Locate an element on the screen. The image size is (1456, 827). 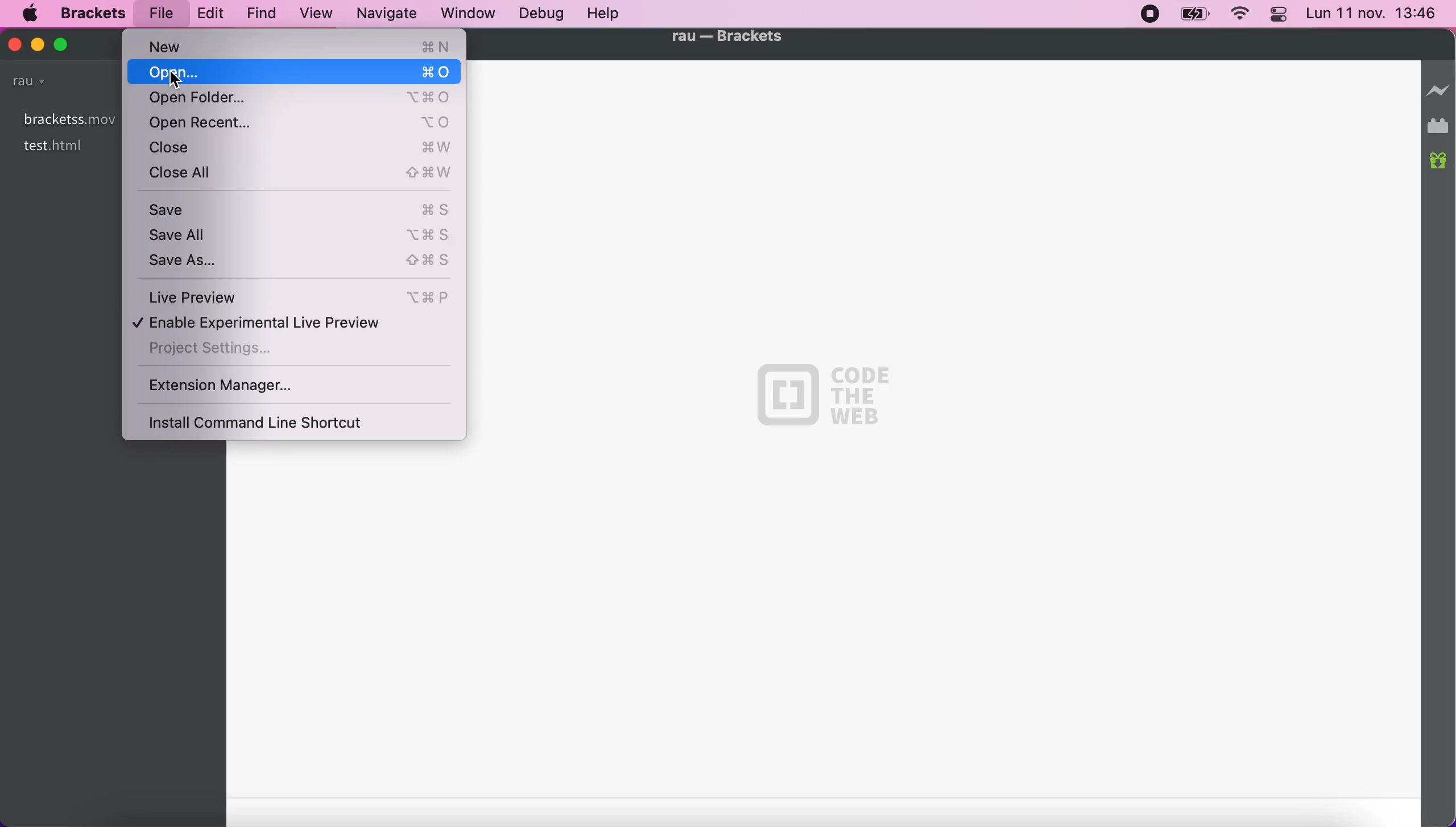
project settings is located at coordinates (230, 350).